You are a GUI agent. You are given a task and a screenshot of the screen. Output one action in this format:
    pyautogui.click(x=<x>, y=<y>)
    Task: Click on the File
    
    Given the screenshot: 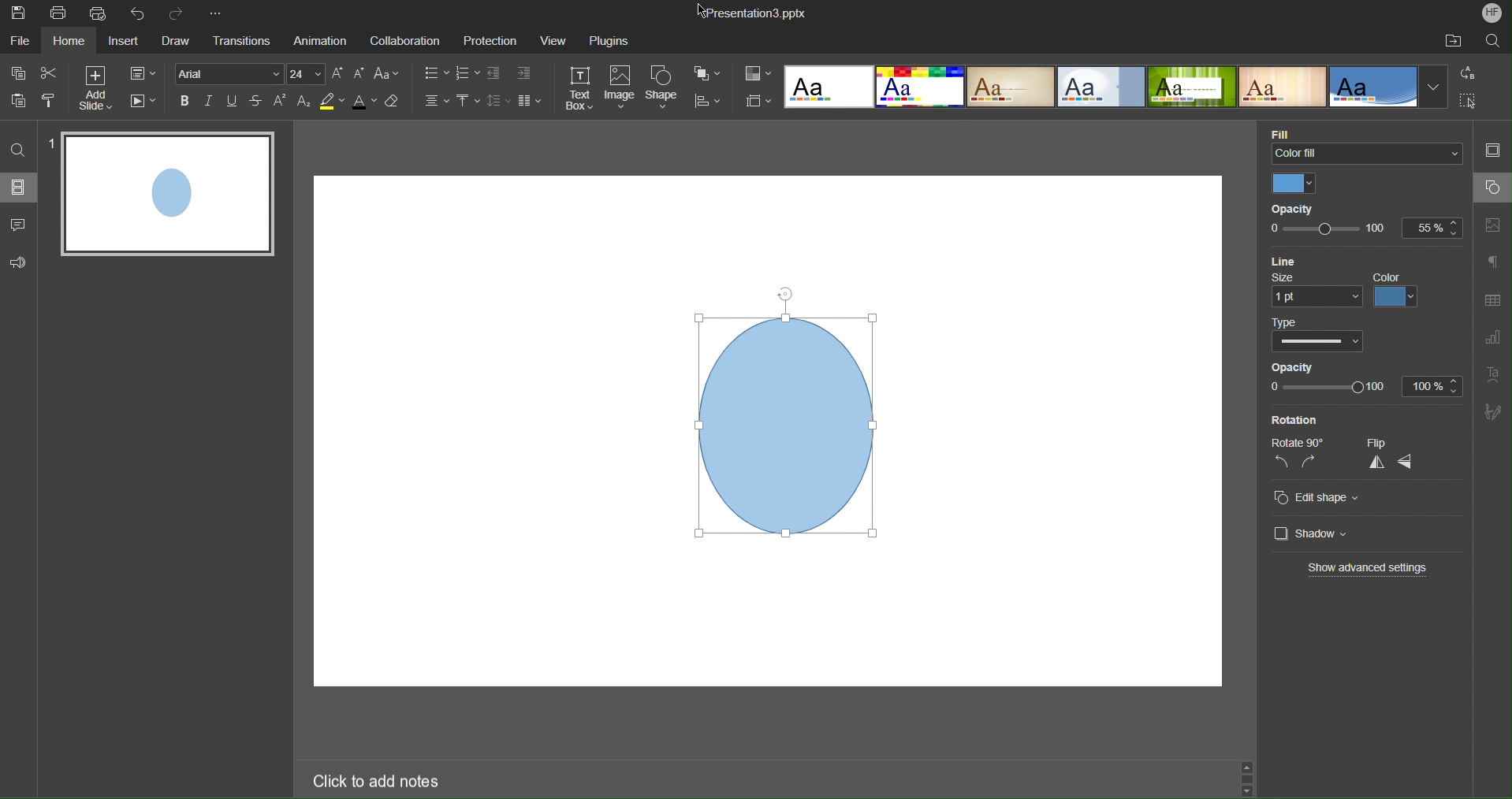 What is the action you would take?
    pyautogui.click(x=19, y=41)
    